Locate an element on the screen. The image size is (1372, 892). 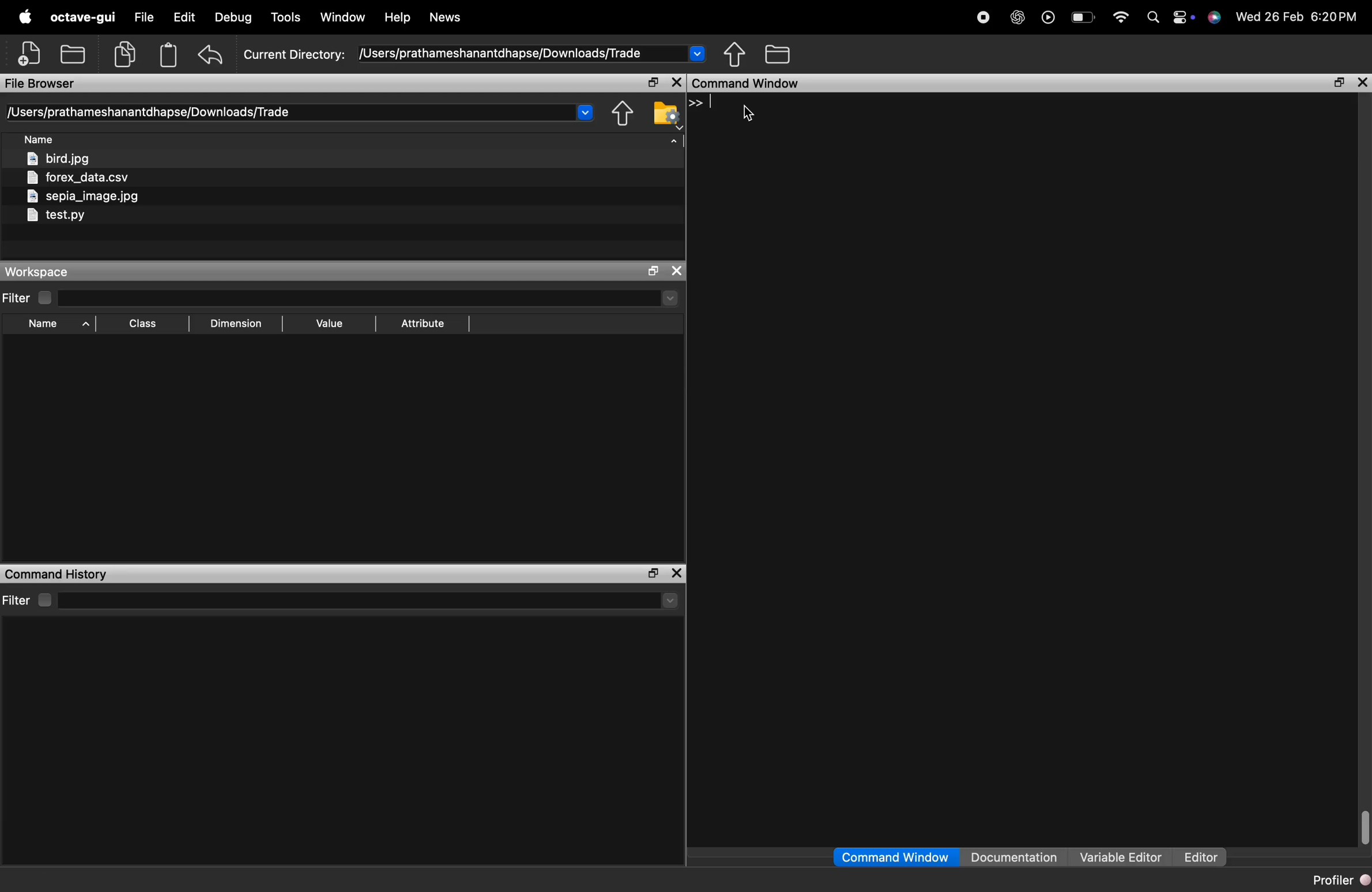
dropdown is located at coordinates (585, 112).